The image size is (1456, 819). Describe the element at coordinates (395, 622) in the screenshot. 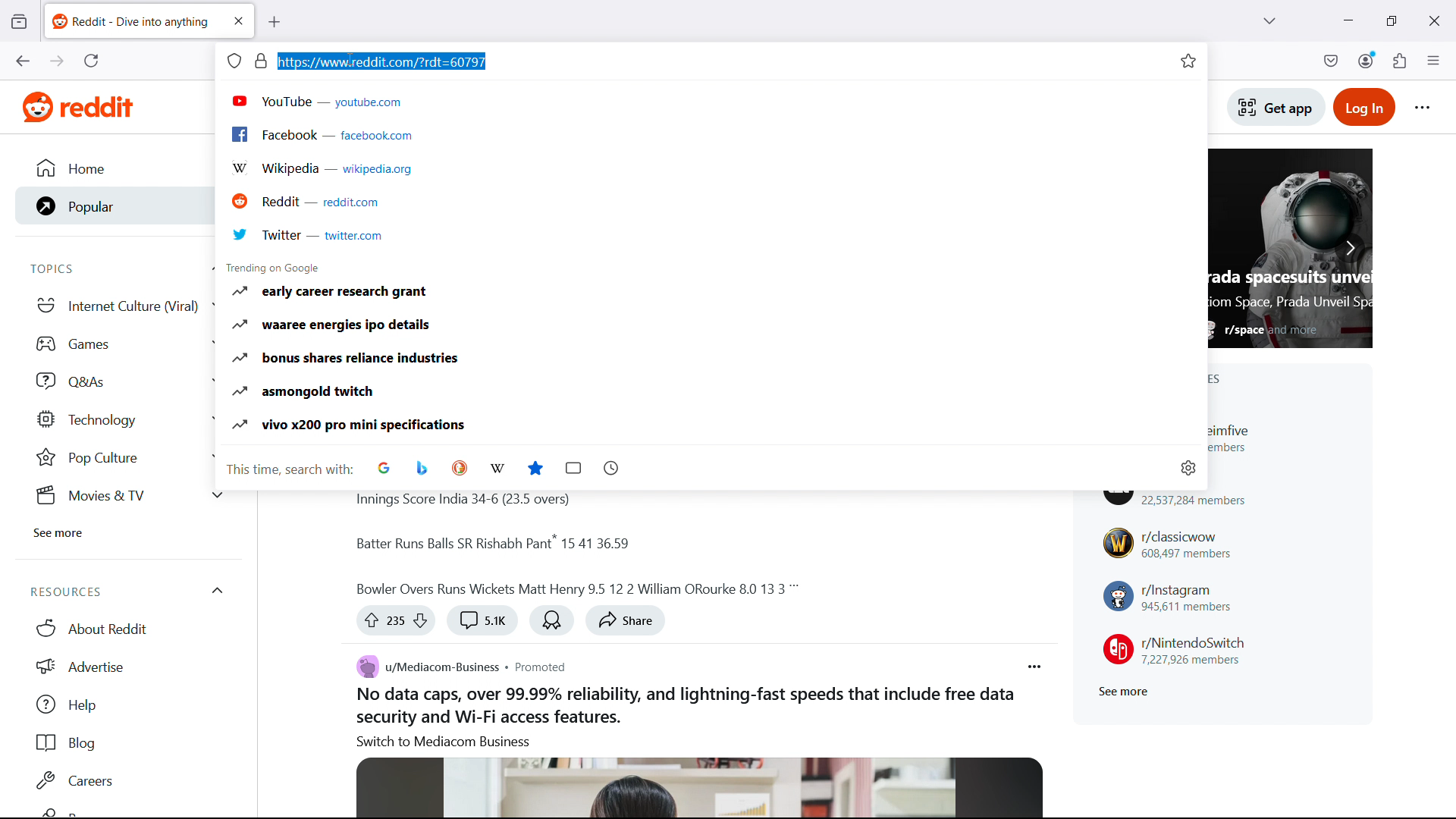

I see `Up vote or down vote` at that location.